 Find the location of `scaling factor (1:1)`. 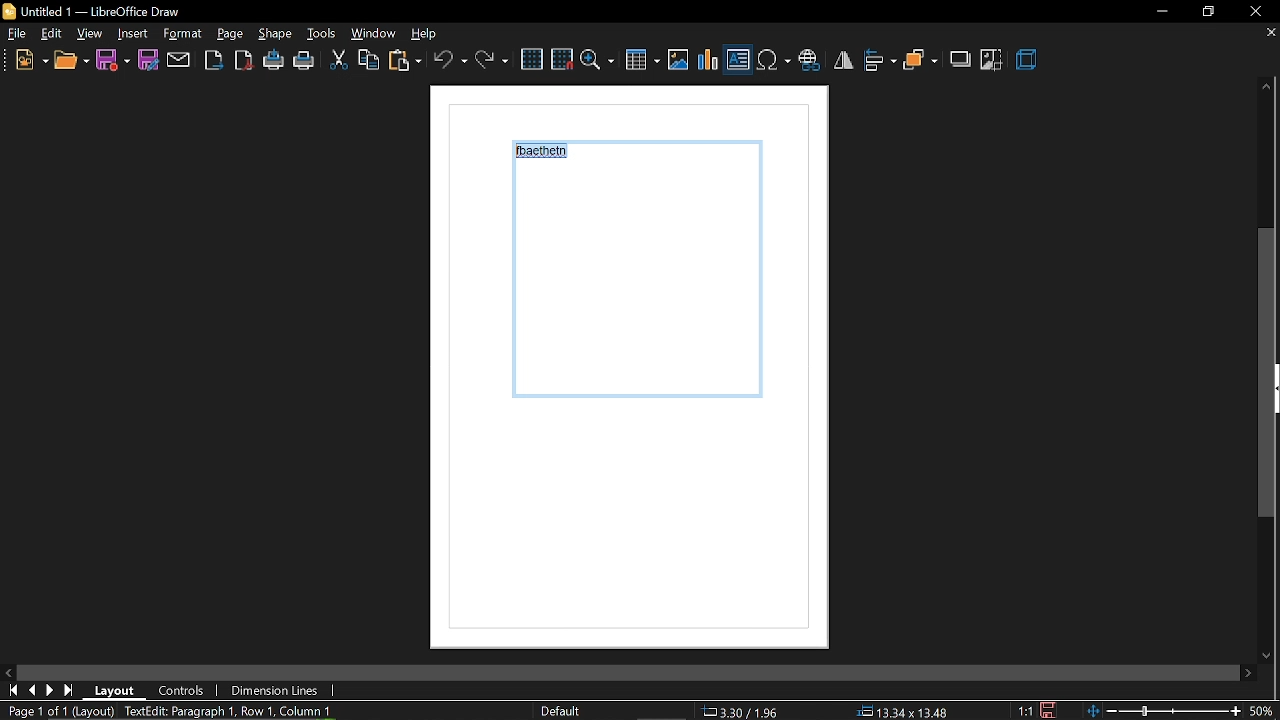

scaling factor (1:1) is located at coordinates (1025, 709).